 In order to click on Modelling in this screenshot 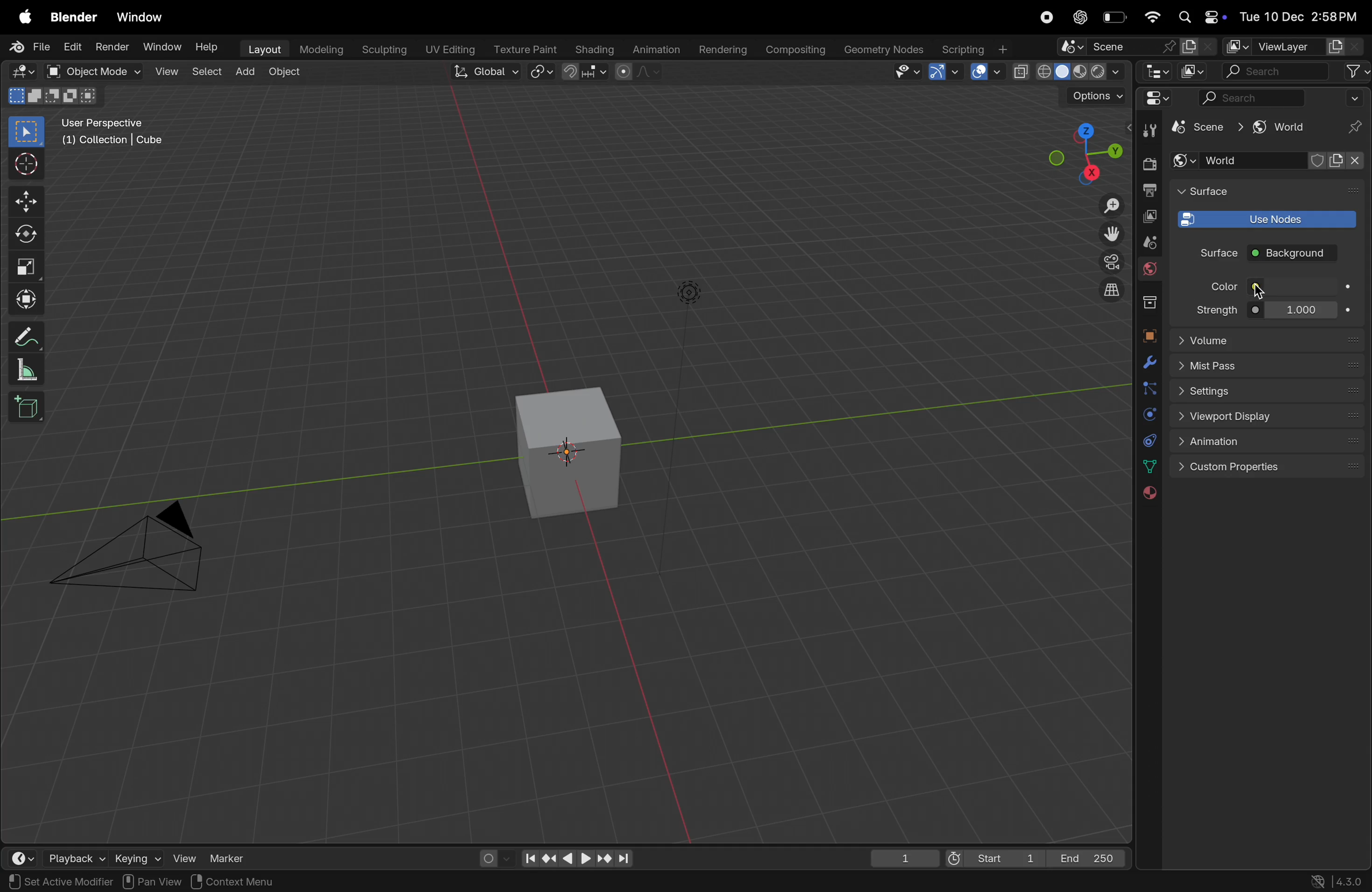, I will do `click(322, 49)`.